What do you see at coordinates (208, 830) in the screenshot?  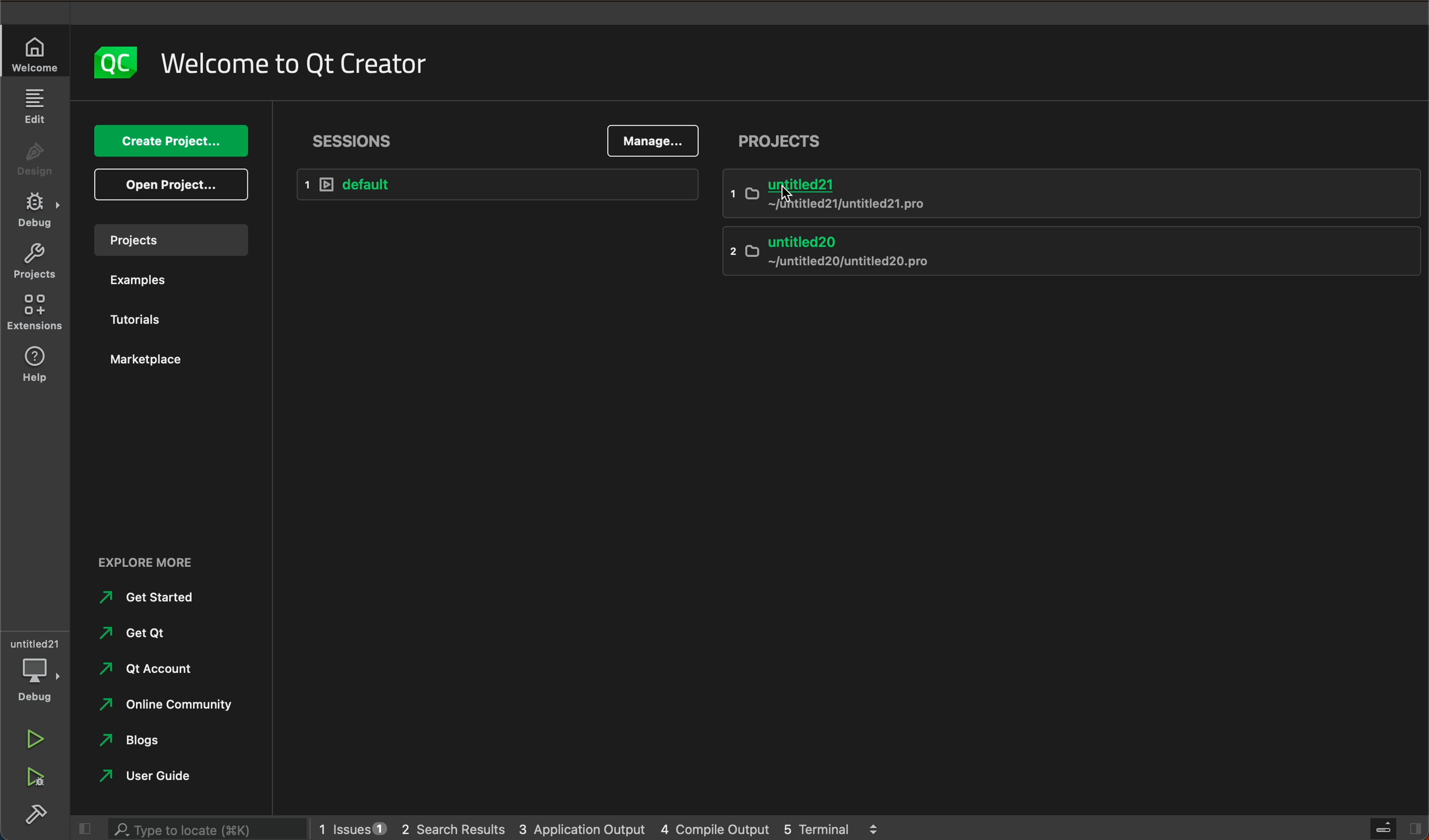 I see `search` at bounding box center [208, 830].